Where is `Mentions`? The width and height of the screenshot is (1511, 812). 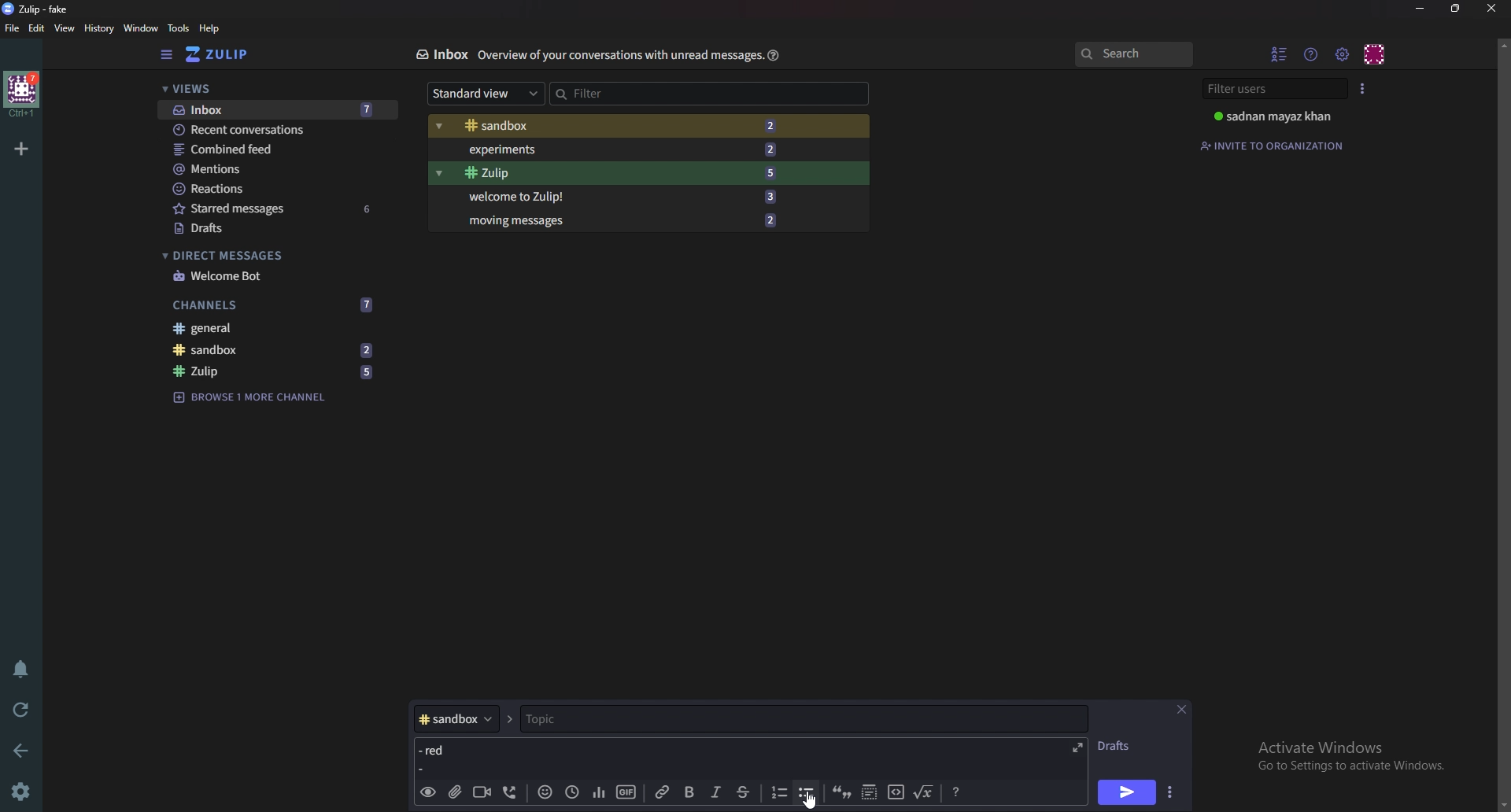 Mentions is located at coordinates (276, 169).